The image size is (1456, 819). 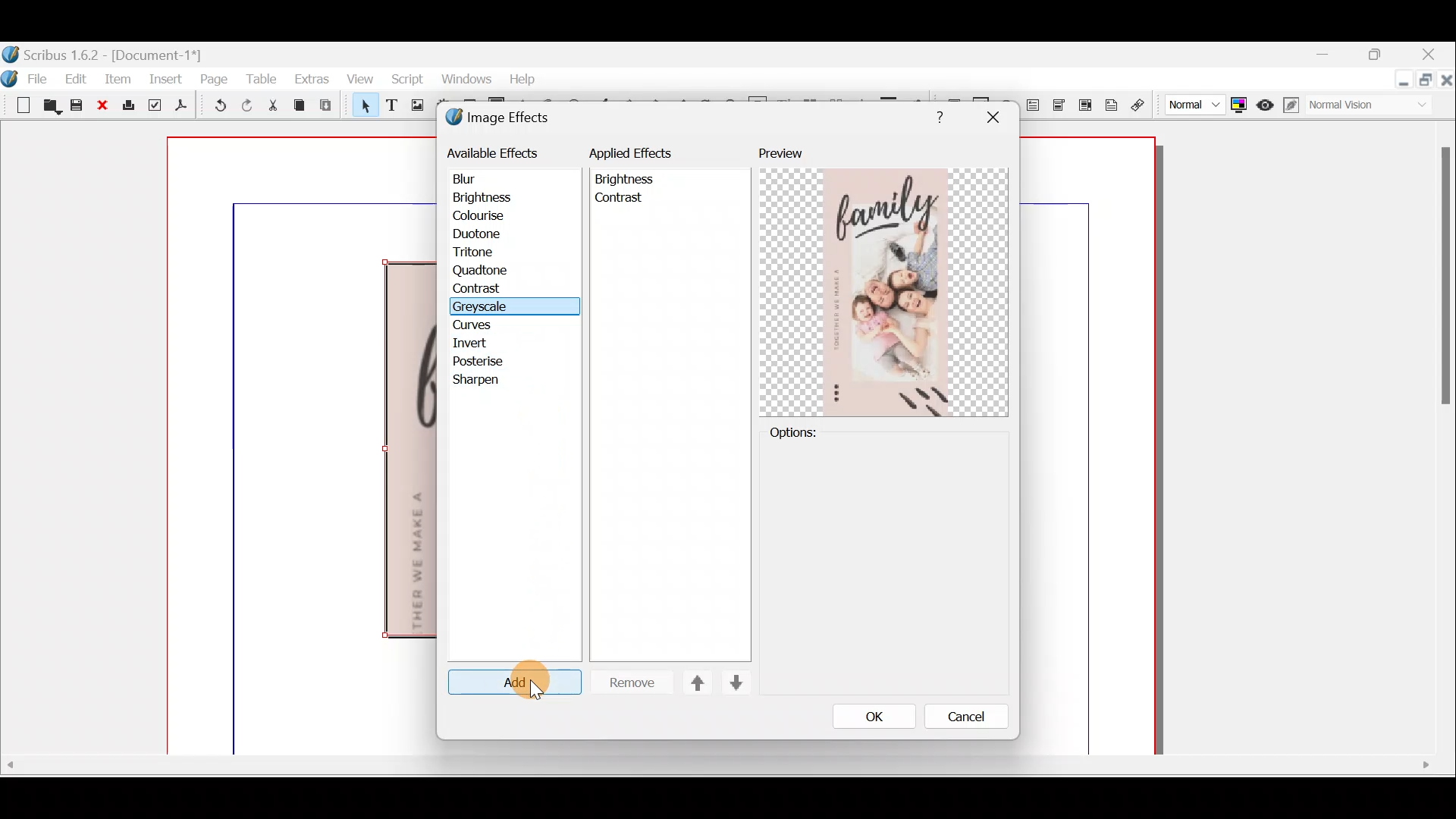 What do you see at coordinates (469, 80) in the screenshot?
I see `windows` at bounding box center [469, 80].